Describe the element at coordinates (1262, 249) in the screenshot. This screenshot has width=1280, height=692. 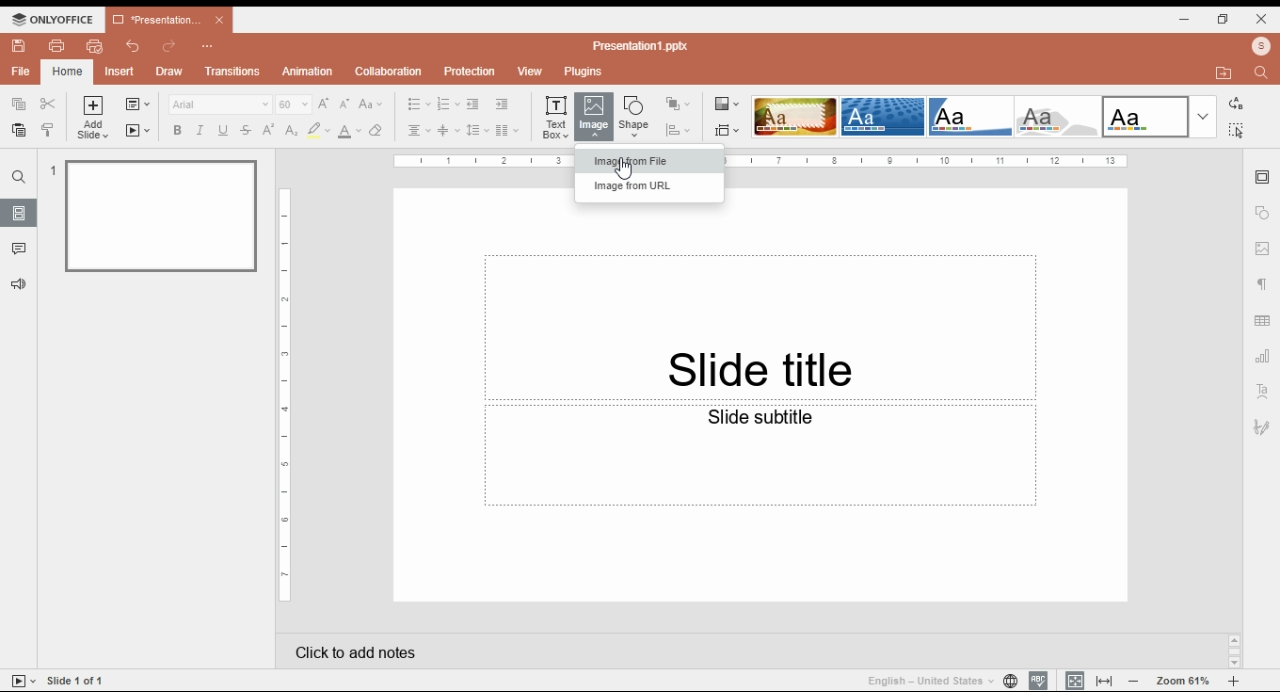
I see `image settings` at that location.